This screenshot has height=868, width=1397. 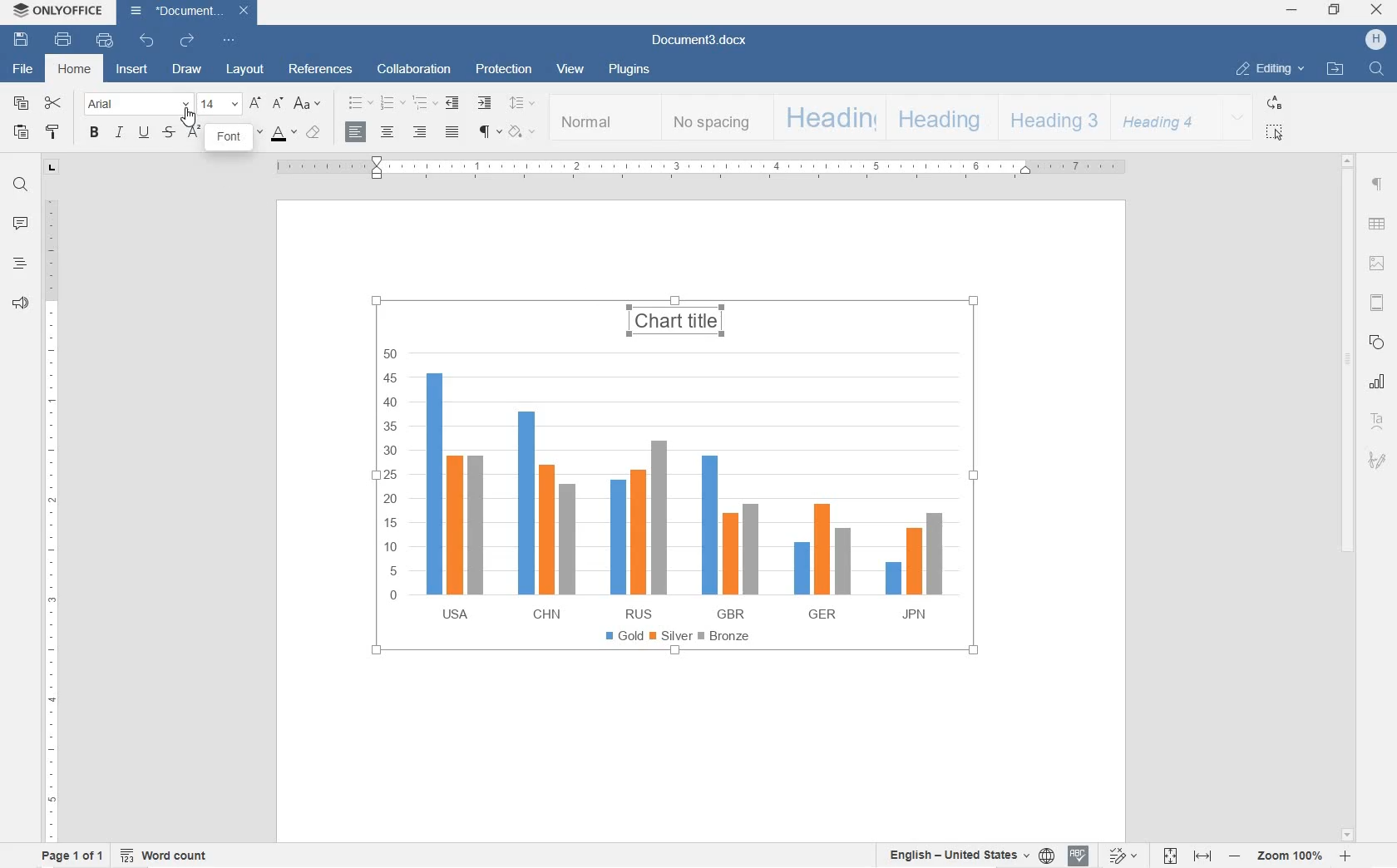 I want to click on INSERT, so click(x=134, y=70).